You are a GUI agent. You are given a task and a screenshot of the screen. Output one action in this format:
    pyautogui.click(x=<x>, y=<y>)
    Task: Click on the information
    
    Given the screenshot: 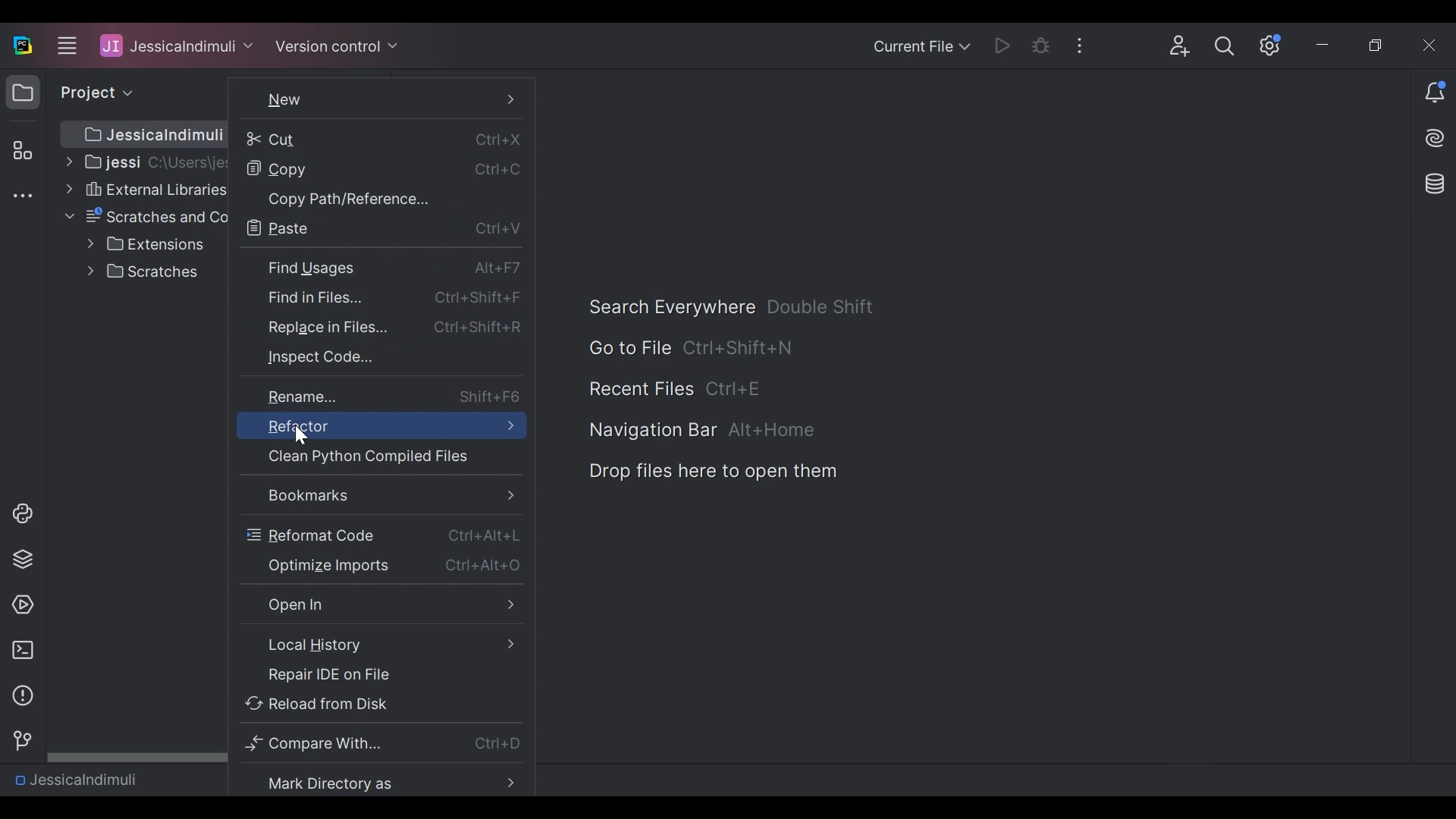 What is the action you would take?
    pyautogui.click(x=19, y=696)
    